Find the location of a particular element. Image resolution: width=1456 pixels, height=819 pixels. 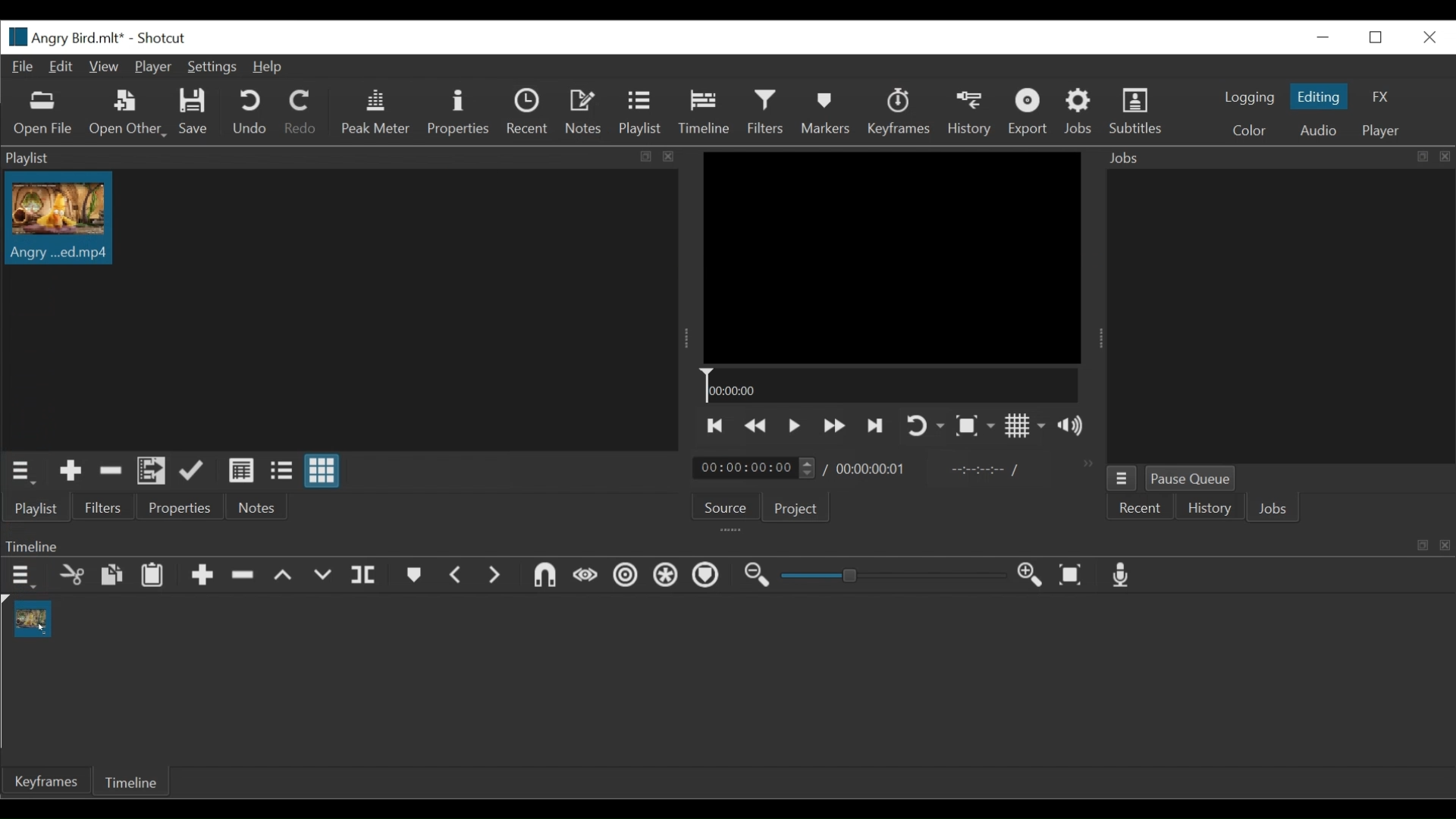

Paste is located at coordinates (152, 577).